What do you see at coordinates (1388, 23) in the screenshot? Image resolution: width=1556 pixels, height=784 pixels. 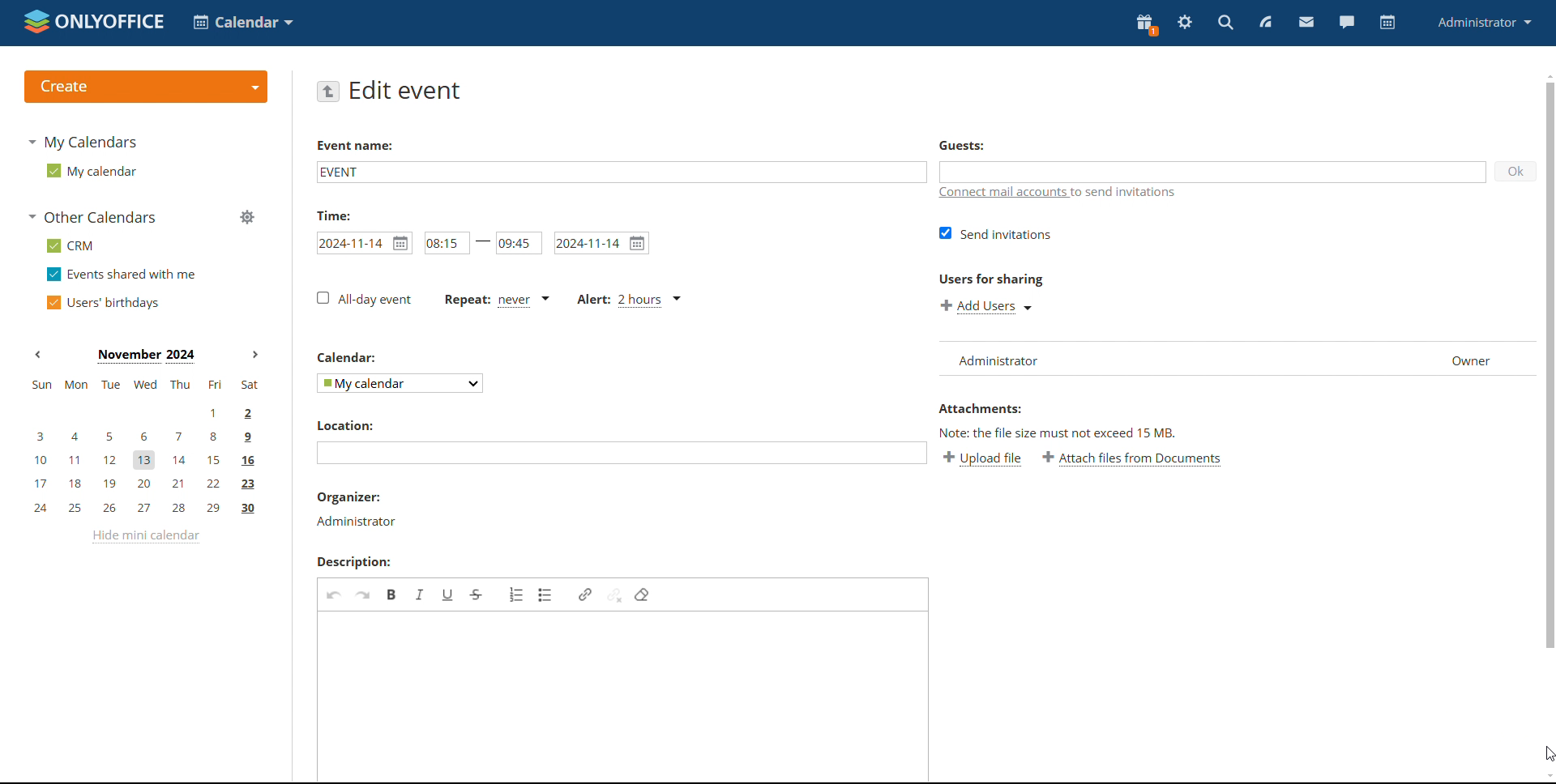 I see `calendar` at bounding box center [1388, 23].